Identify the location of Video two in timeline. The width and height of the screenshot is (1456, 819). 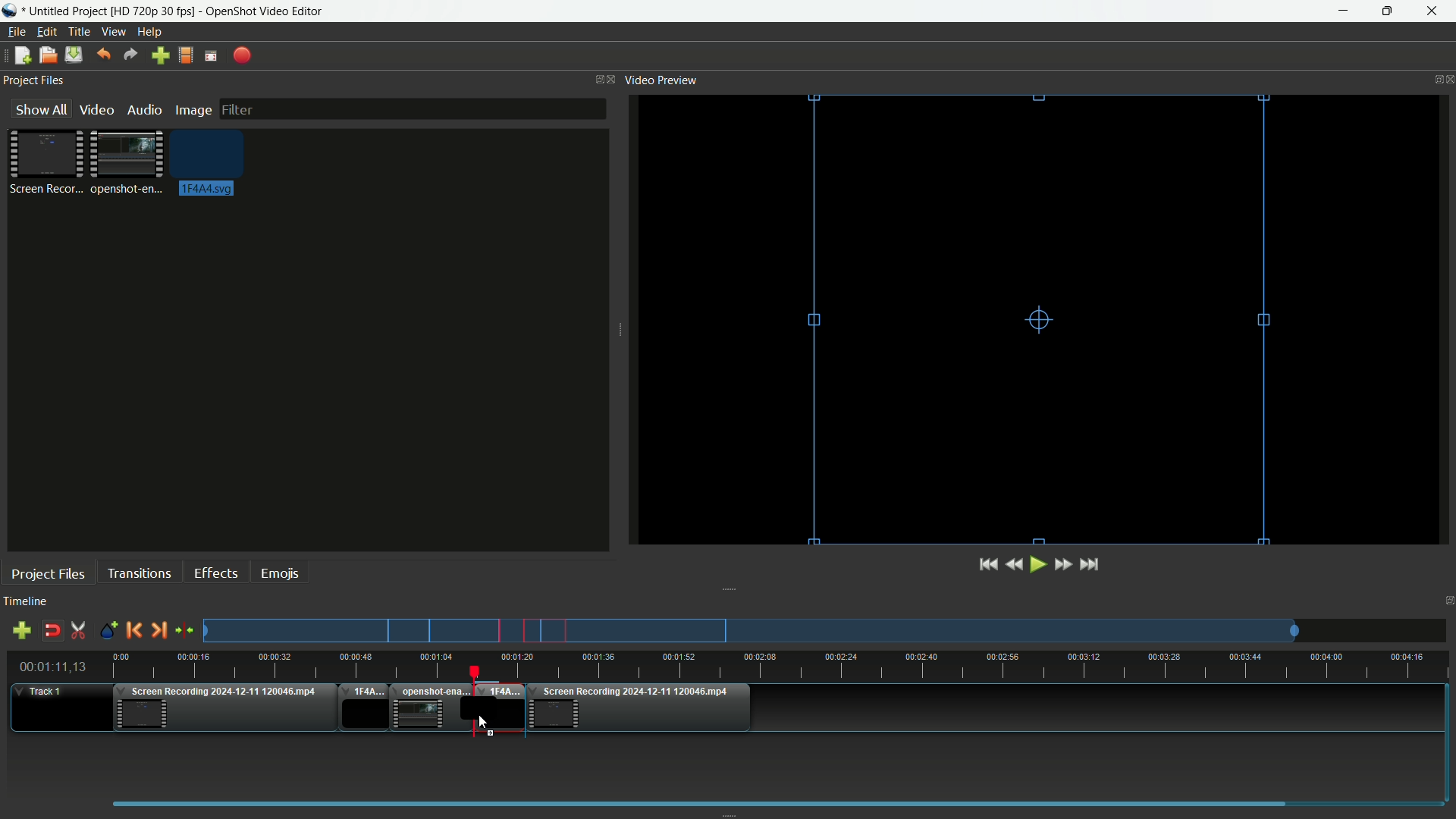
(428, 708).